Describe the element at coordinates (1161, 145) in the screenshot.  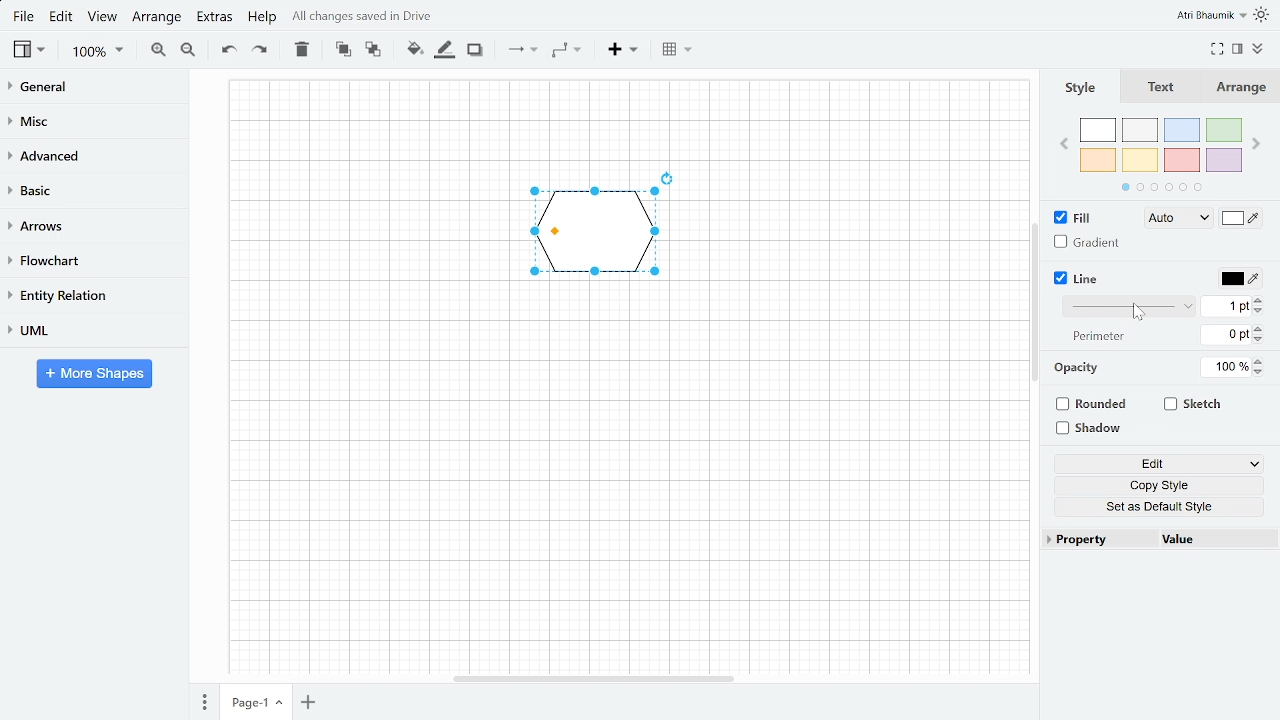
I see `Colors` at that location.